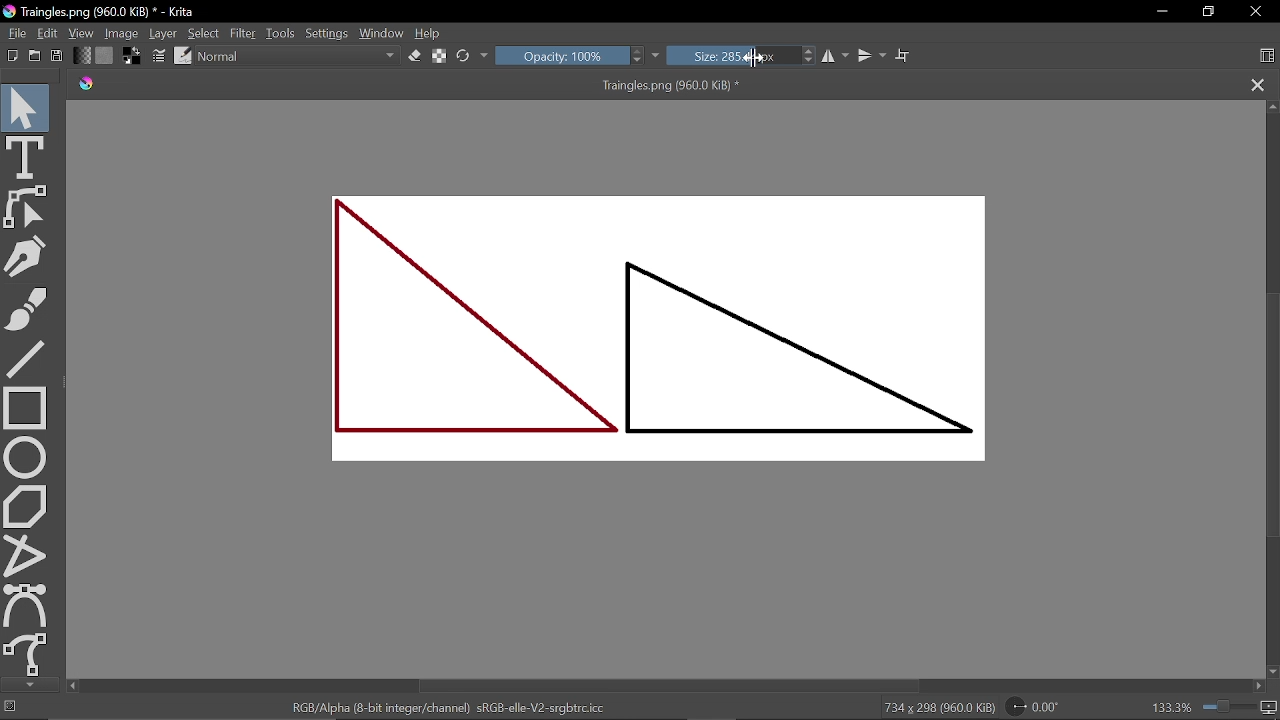 This screenshot has width=1280, height=720. Describe the element at coordinates (444, 706) in the screenshot. I see `RGB/Alpha (8-bit integer/channel) sRGB-elle-V2-srgbtrc.icc` at that location.